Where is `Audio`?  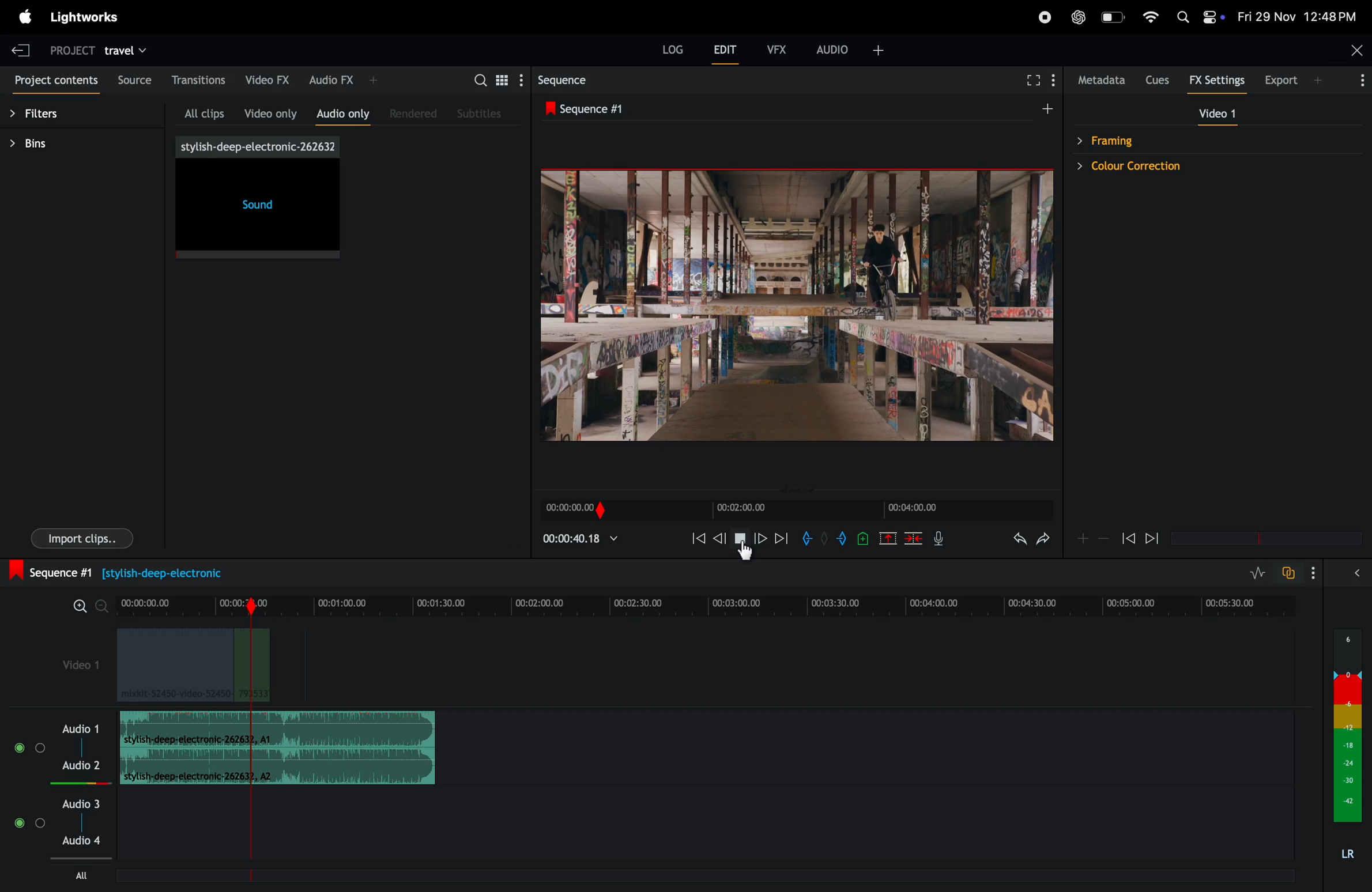
Audio is located at coordinates (82, 841).